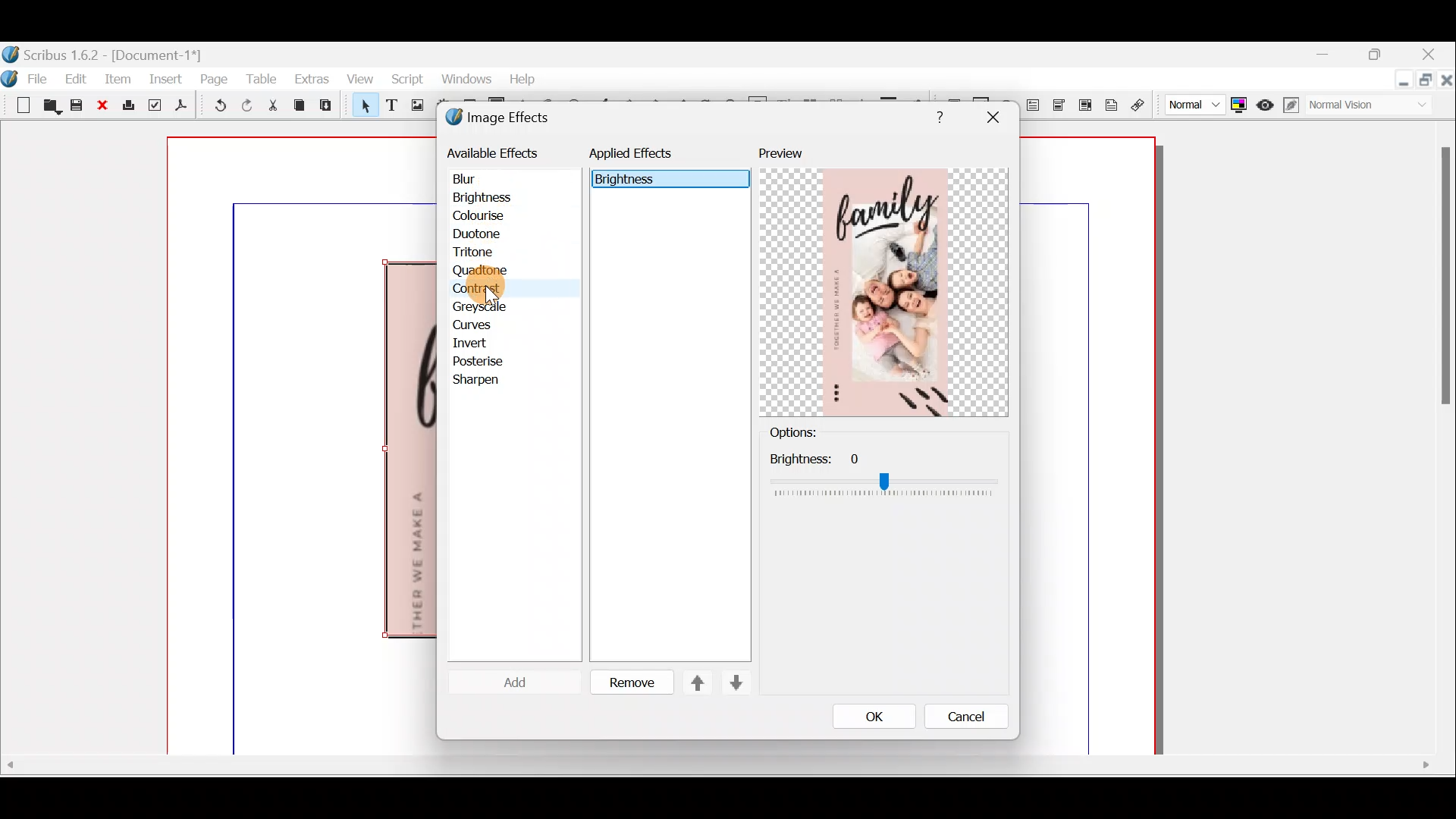 This screenshot has height=819, width=1456. I want to click on Preview mode, so click(1266, 102).